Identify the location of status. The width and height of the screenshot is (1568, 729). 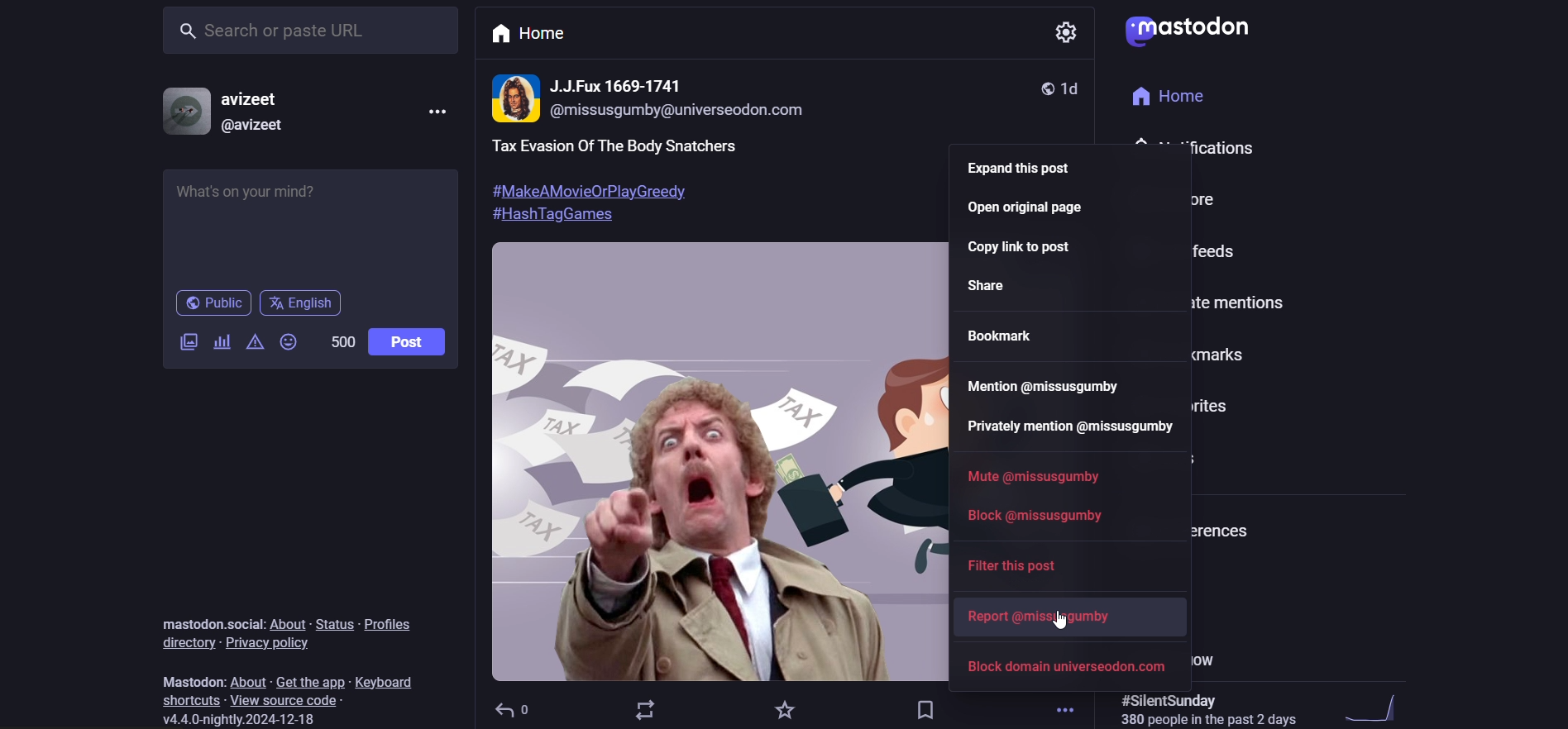
(334, 622).